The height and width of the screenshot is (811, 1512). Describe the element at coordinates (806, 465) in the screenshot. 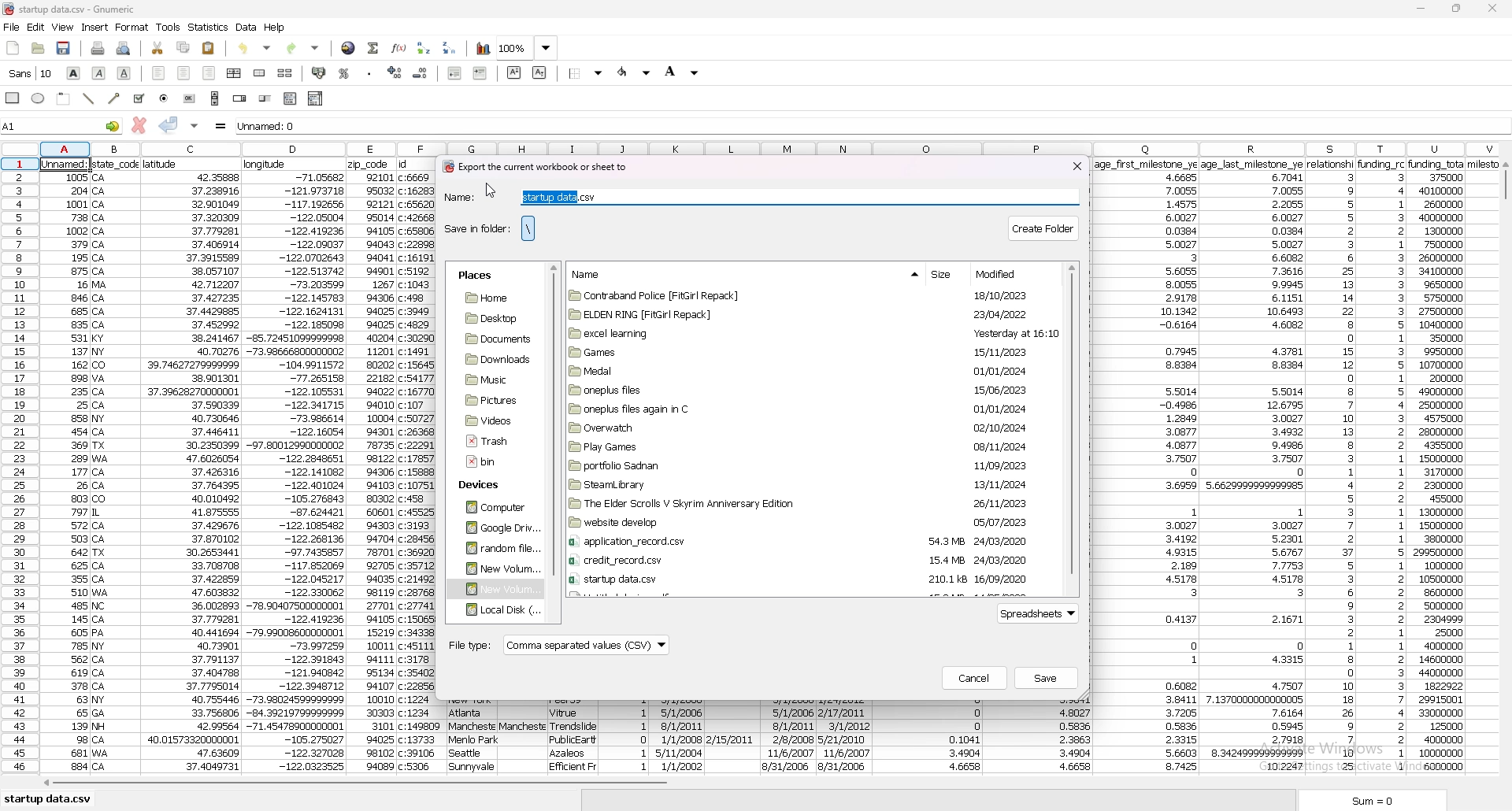

I see `folder` at that location.